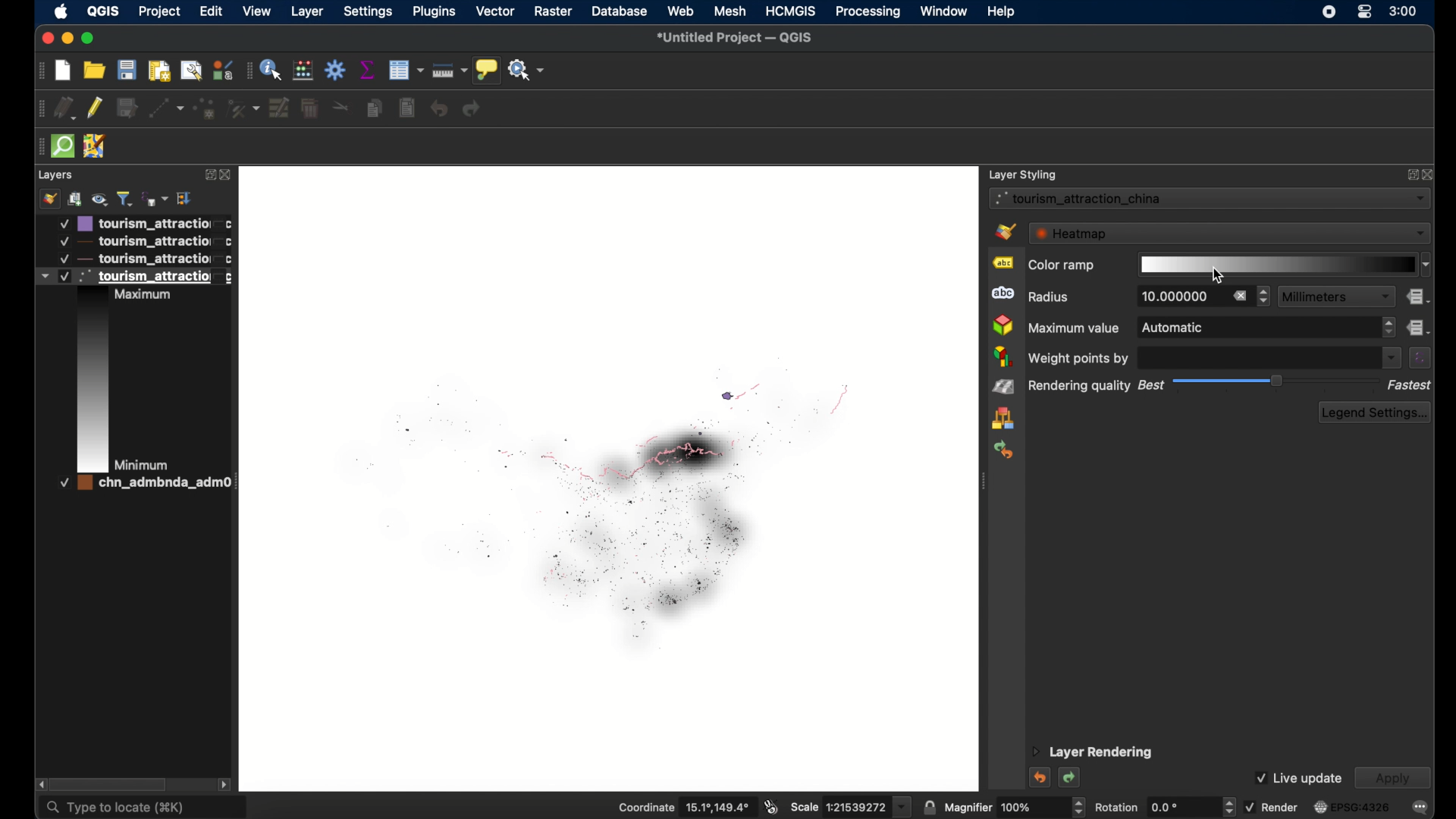 This screenshot has height=819, width=1456. I want to click on diagrams, so click(1003, 357).